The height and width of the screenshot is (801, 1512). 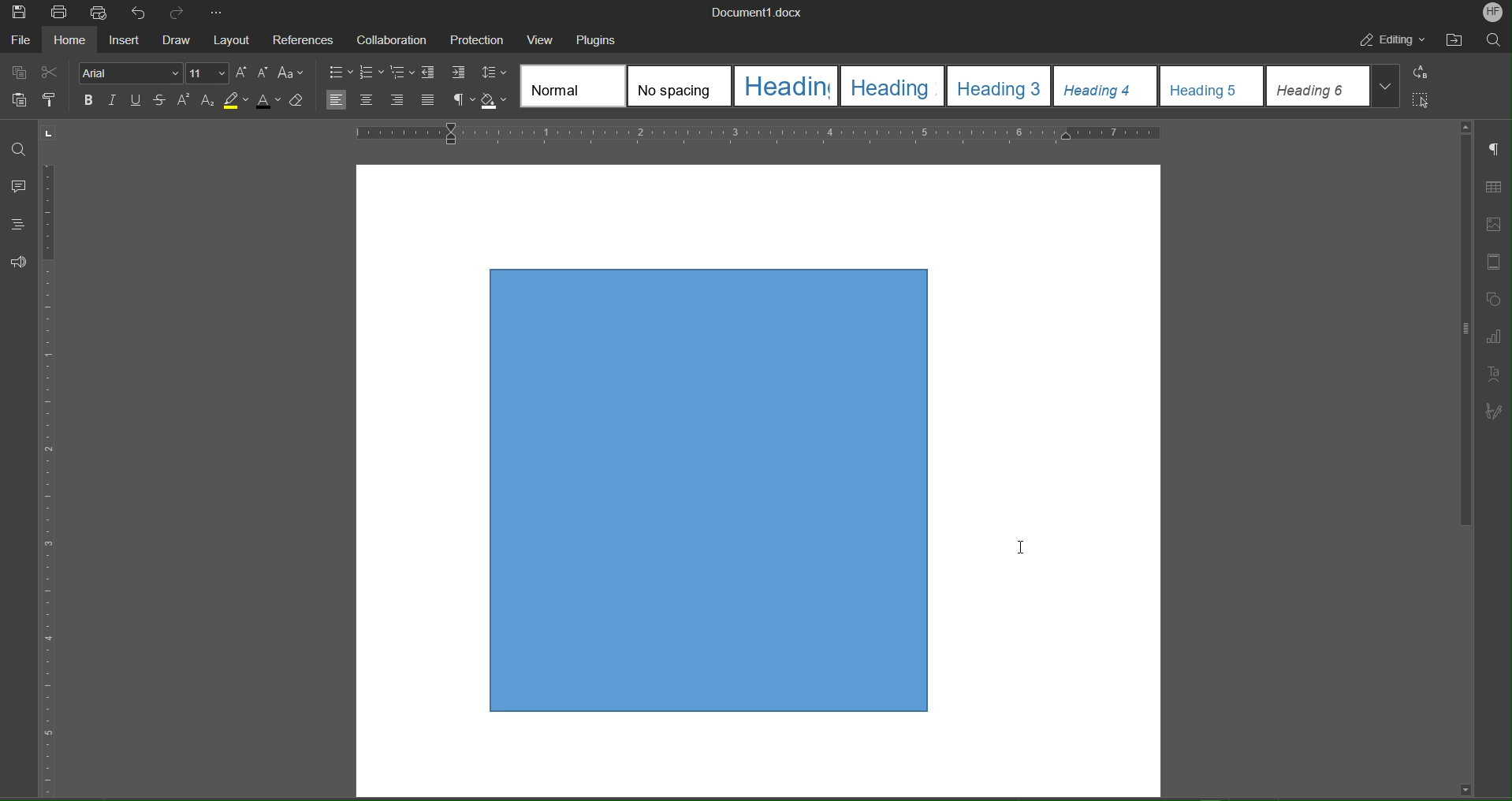 I want to click on Comment, so click(x=18, y=185).